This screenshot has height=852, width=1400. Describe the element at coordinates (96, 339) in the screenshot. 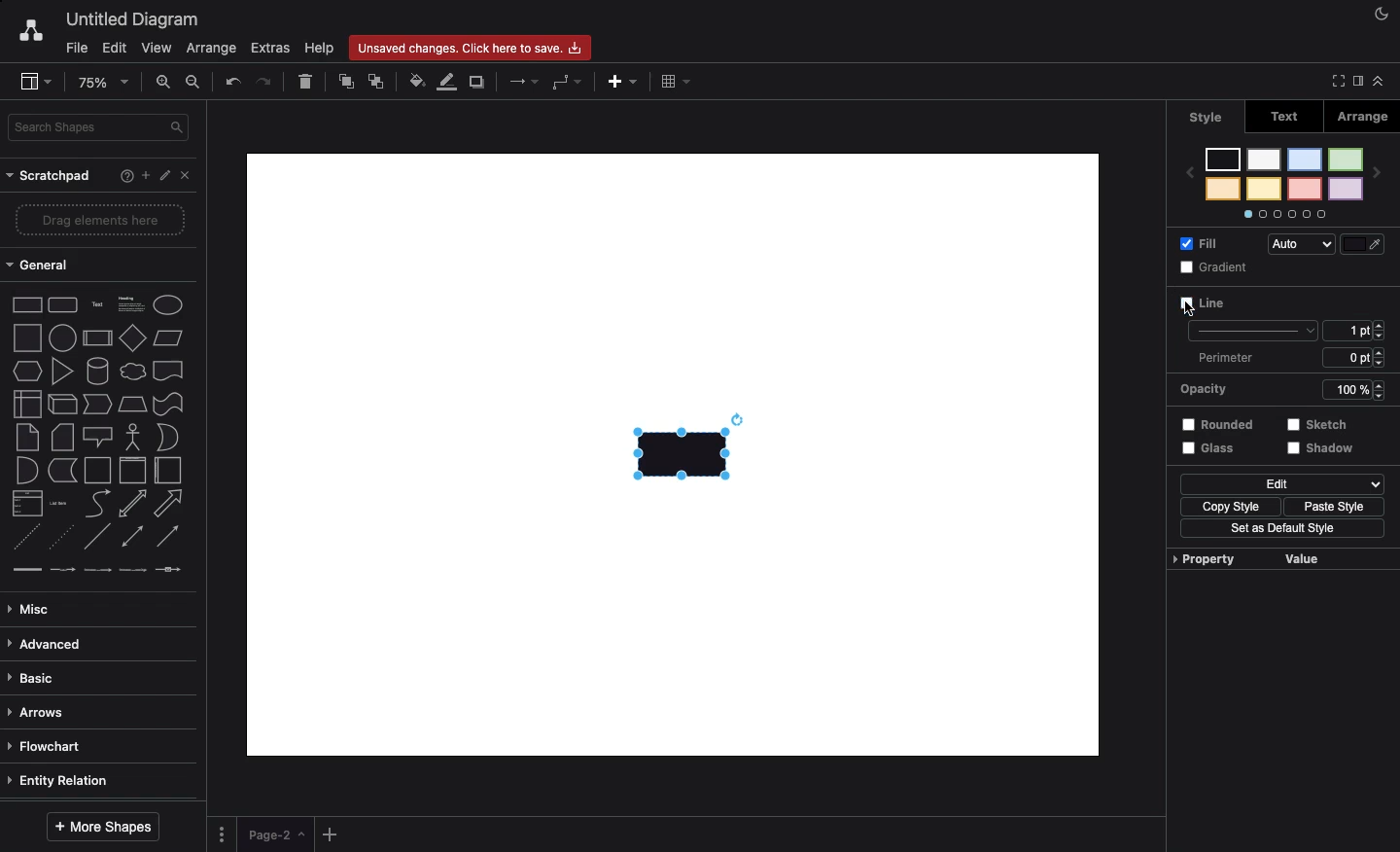

I see `process` at that location.